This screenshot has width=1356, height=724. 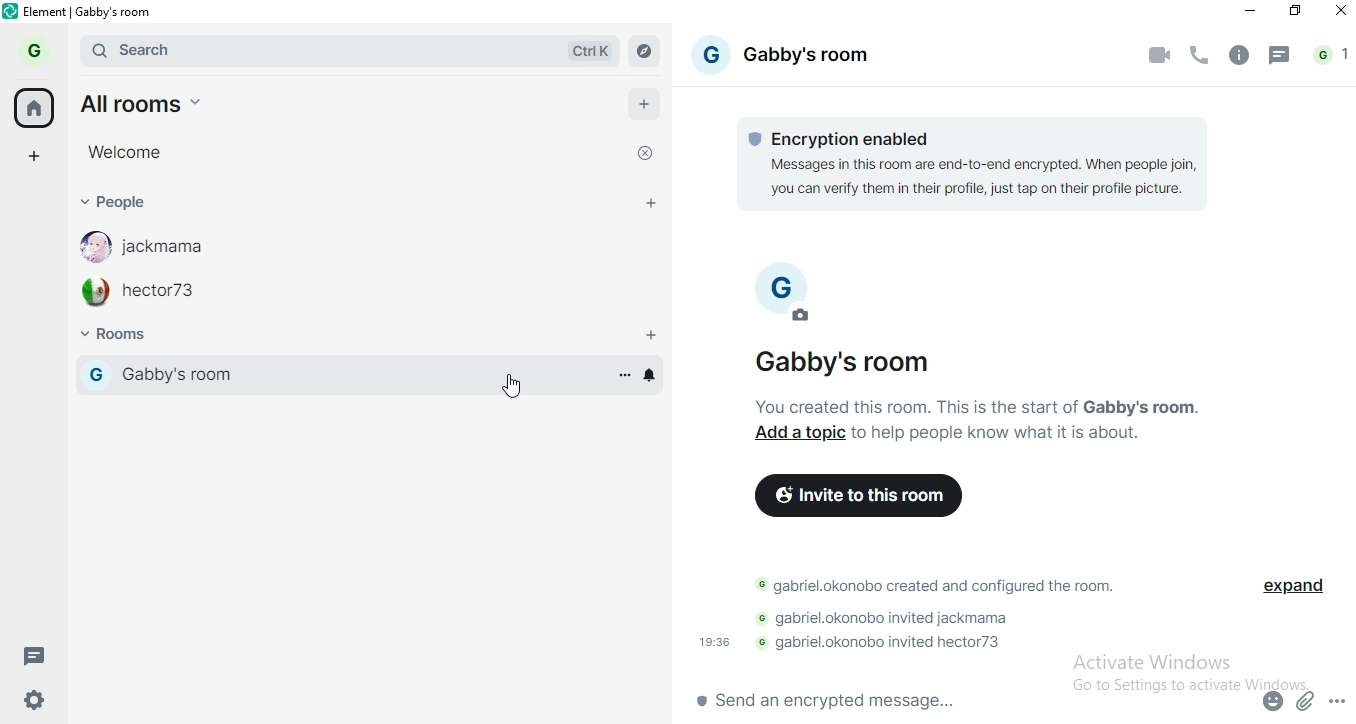 I want to click on info, so click(x=1239, y=55).